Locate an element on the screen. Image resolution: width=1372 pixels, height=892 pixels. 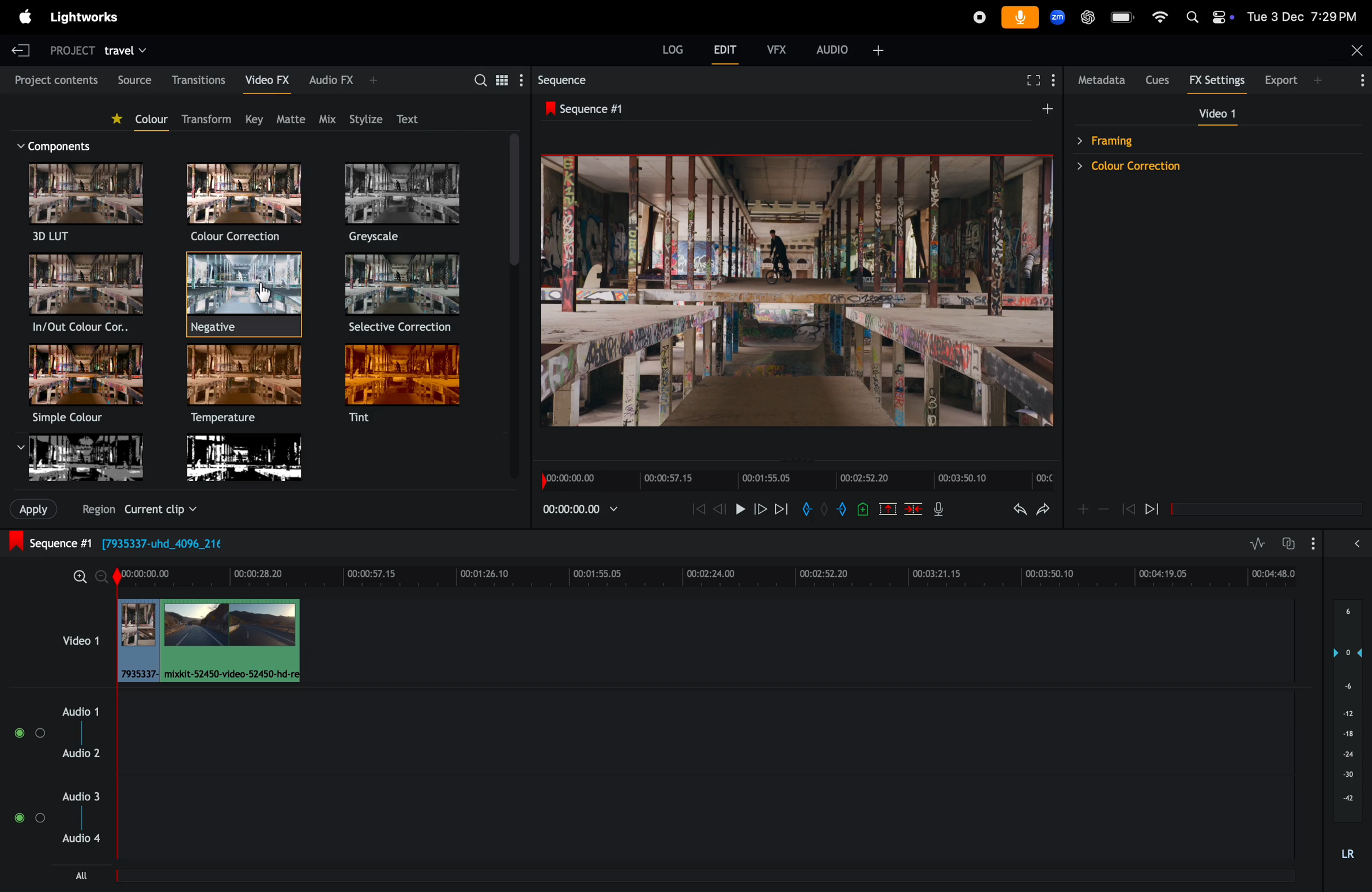
all is located at coordinates (86, 876).